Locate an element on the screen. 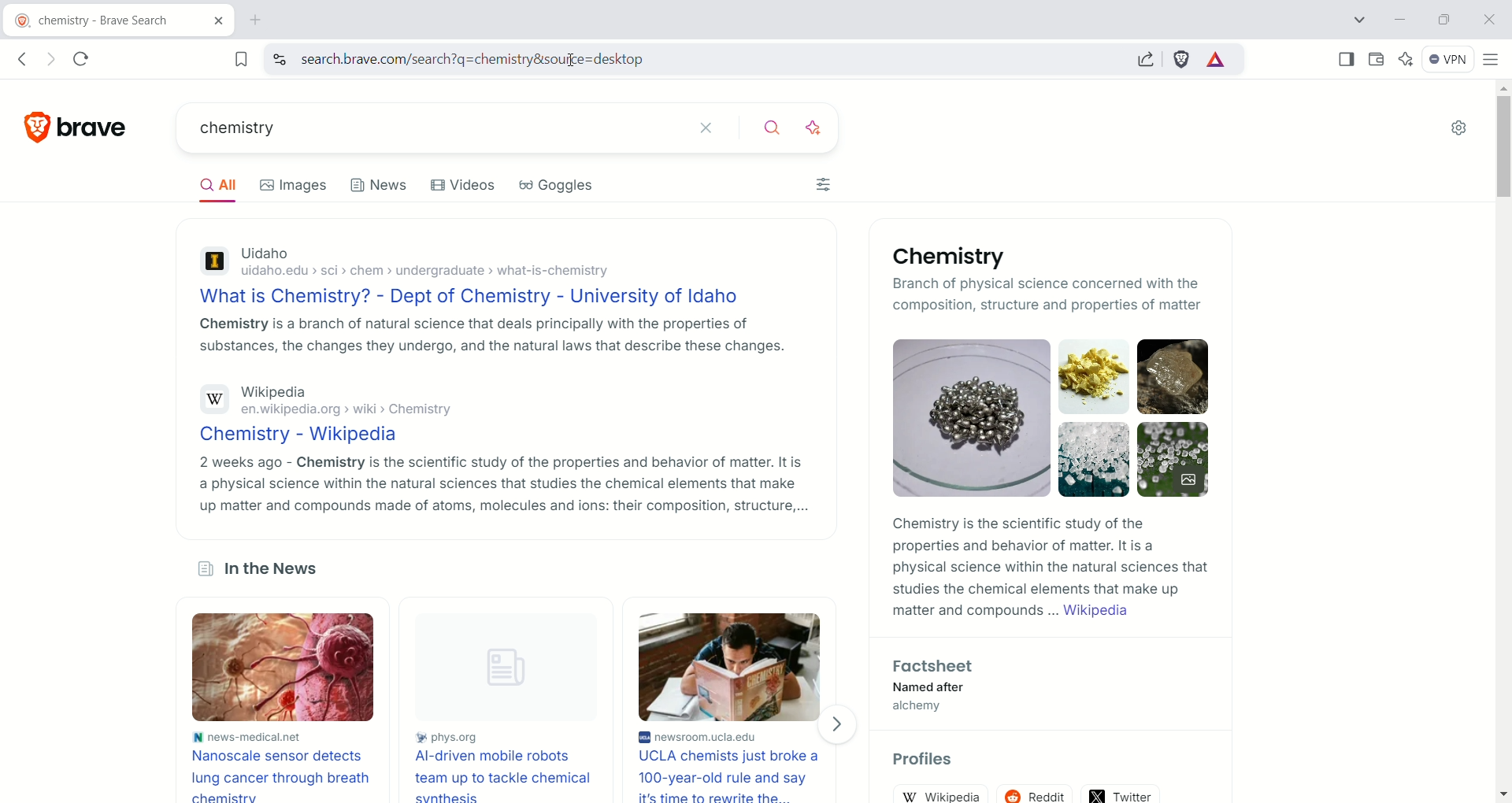 The height and width of the screenshot is (803, 1512). uidaho.edu > sci > chem > undergraduate > what-is-chemistry is located at coordinates (433, 273).